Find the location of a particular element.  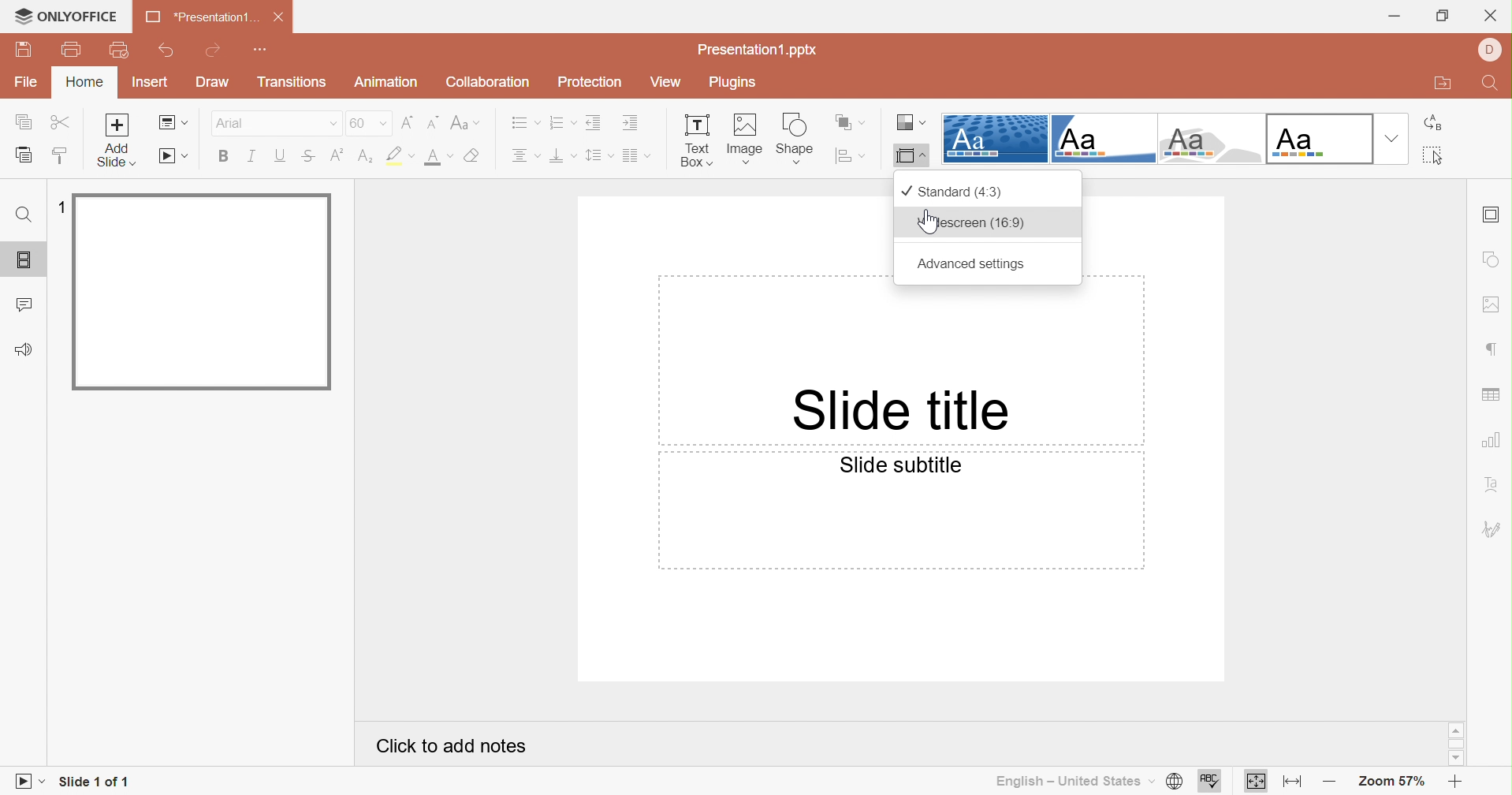

Copy style is located at coordinates (61, 155).